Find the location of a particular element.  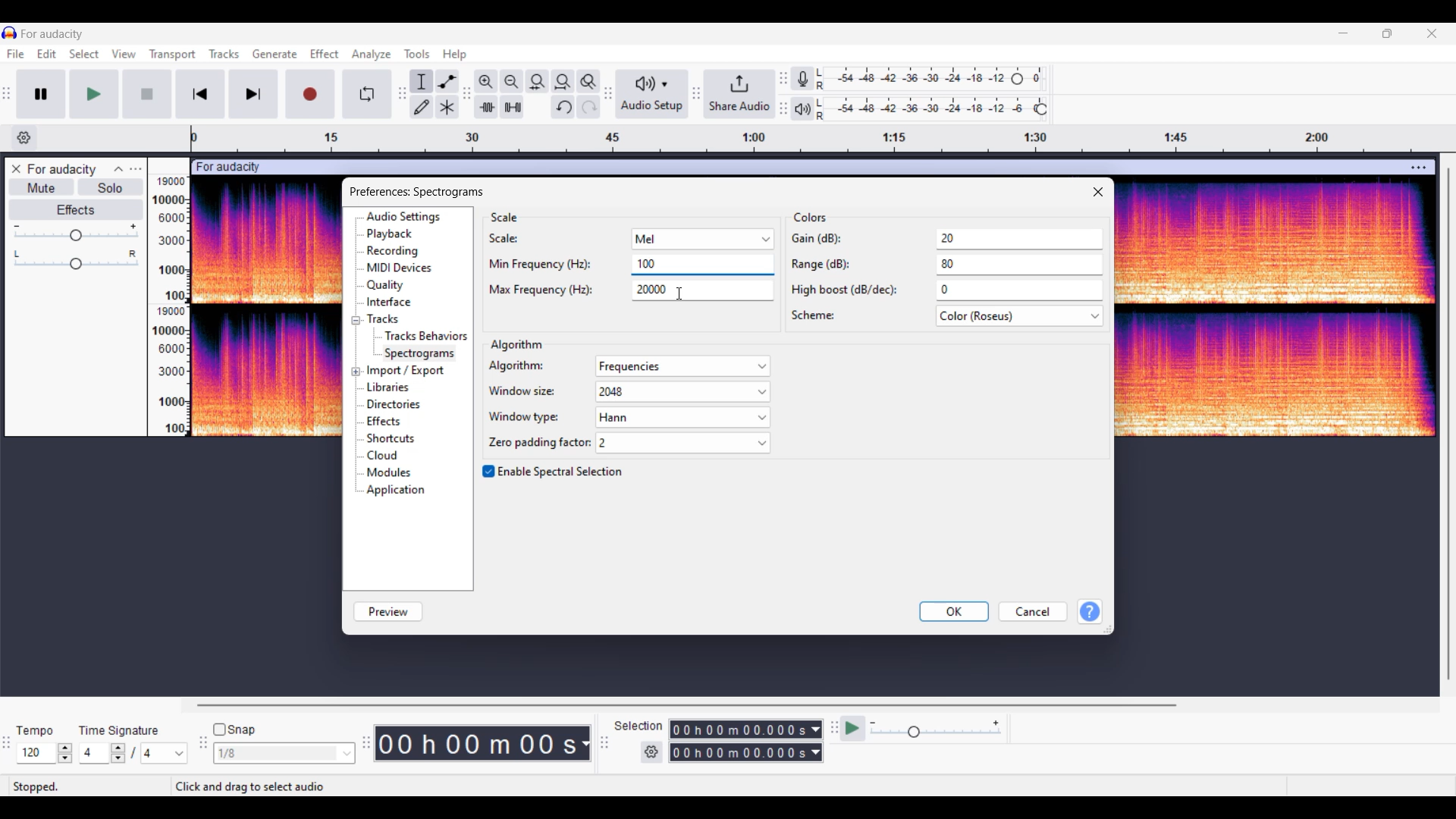

Preview is located at coordinates (388, 612).